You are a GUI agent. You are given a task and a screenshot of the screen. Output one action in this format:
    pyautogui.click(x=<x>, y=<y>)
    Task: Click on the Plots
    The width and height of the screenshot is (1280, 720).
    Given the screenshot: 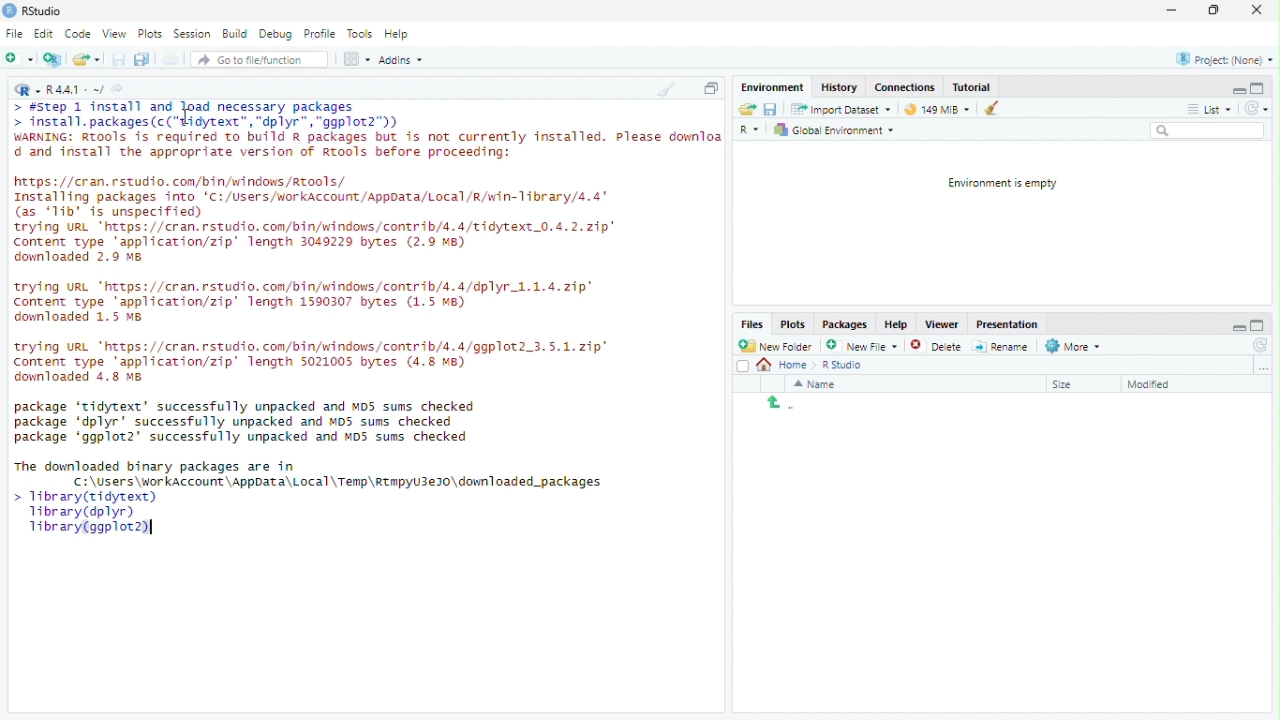 What is the action you would take?
    pyautogui.click(x=794, y=325)
    